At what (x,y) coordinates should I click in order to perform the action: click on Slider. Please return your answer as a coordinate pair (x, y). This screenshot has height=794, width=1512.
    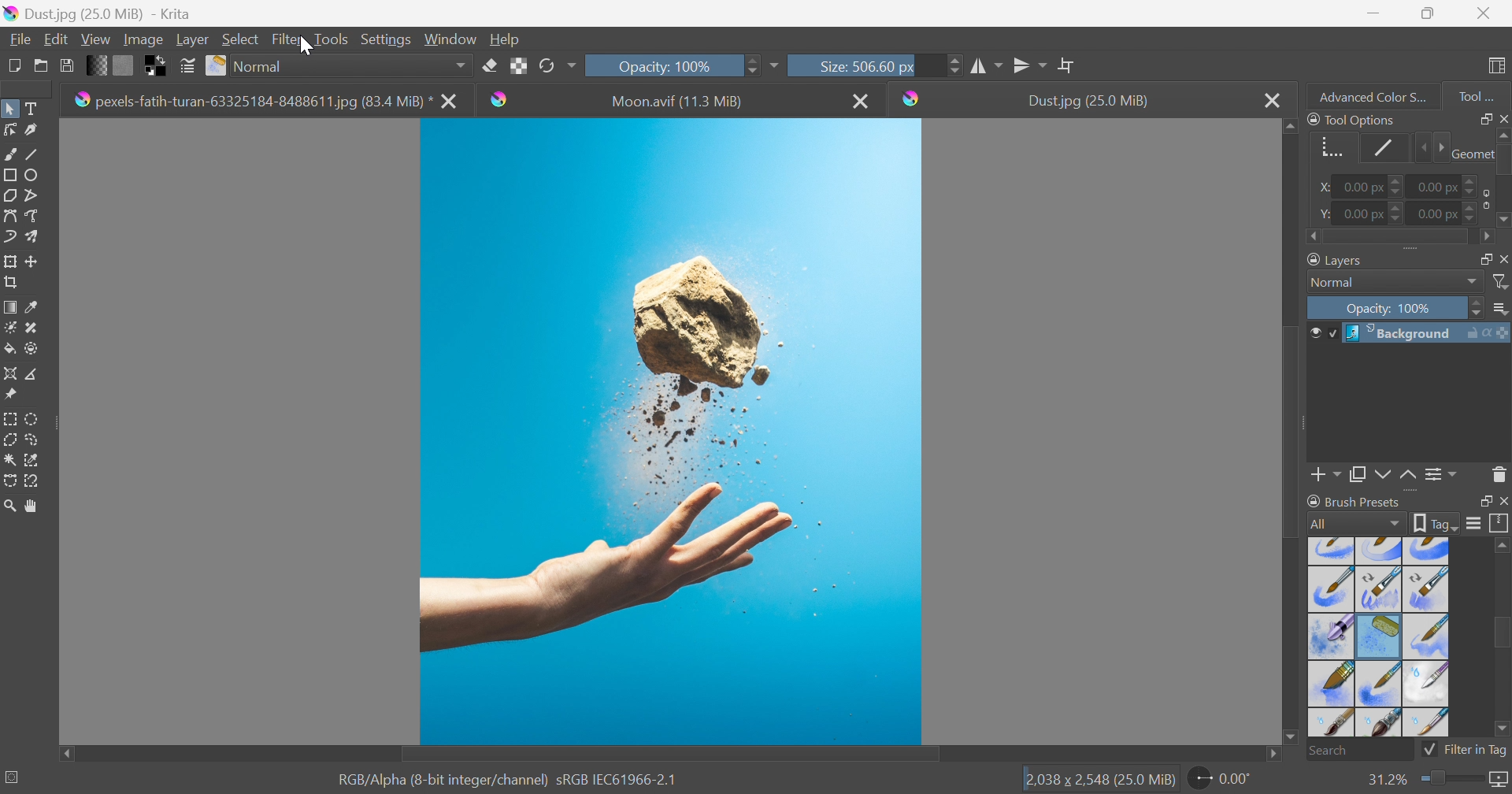
    Looking at the image, I should click on (954, 65).